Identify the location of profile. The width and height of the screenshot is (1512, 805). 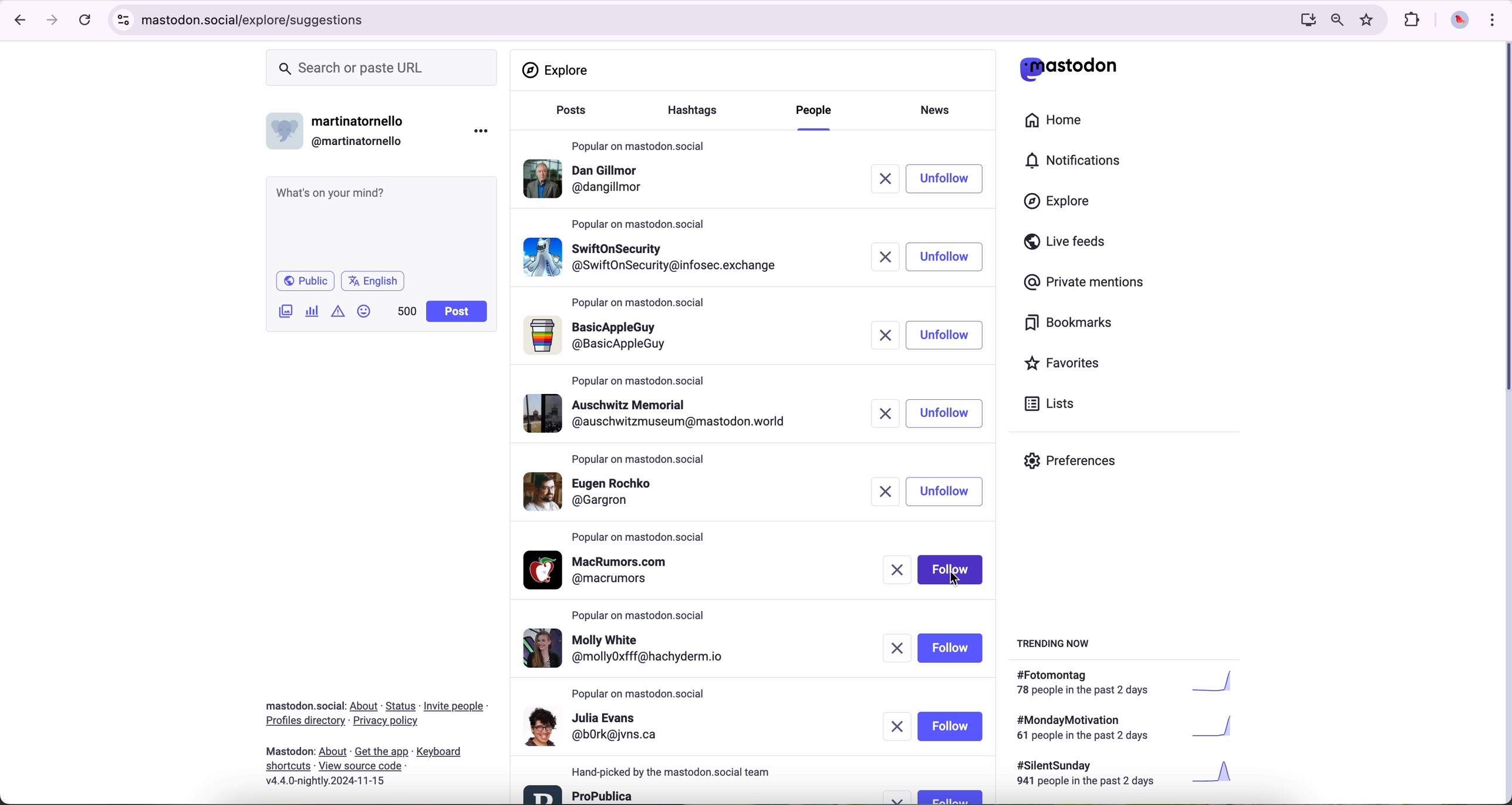
(580, 793).